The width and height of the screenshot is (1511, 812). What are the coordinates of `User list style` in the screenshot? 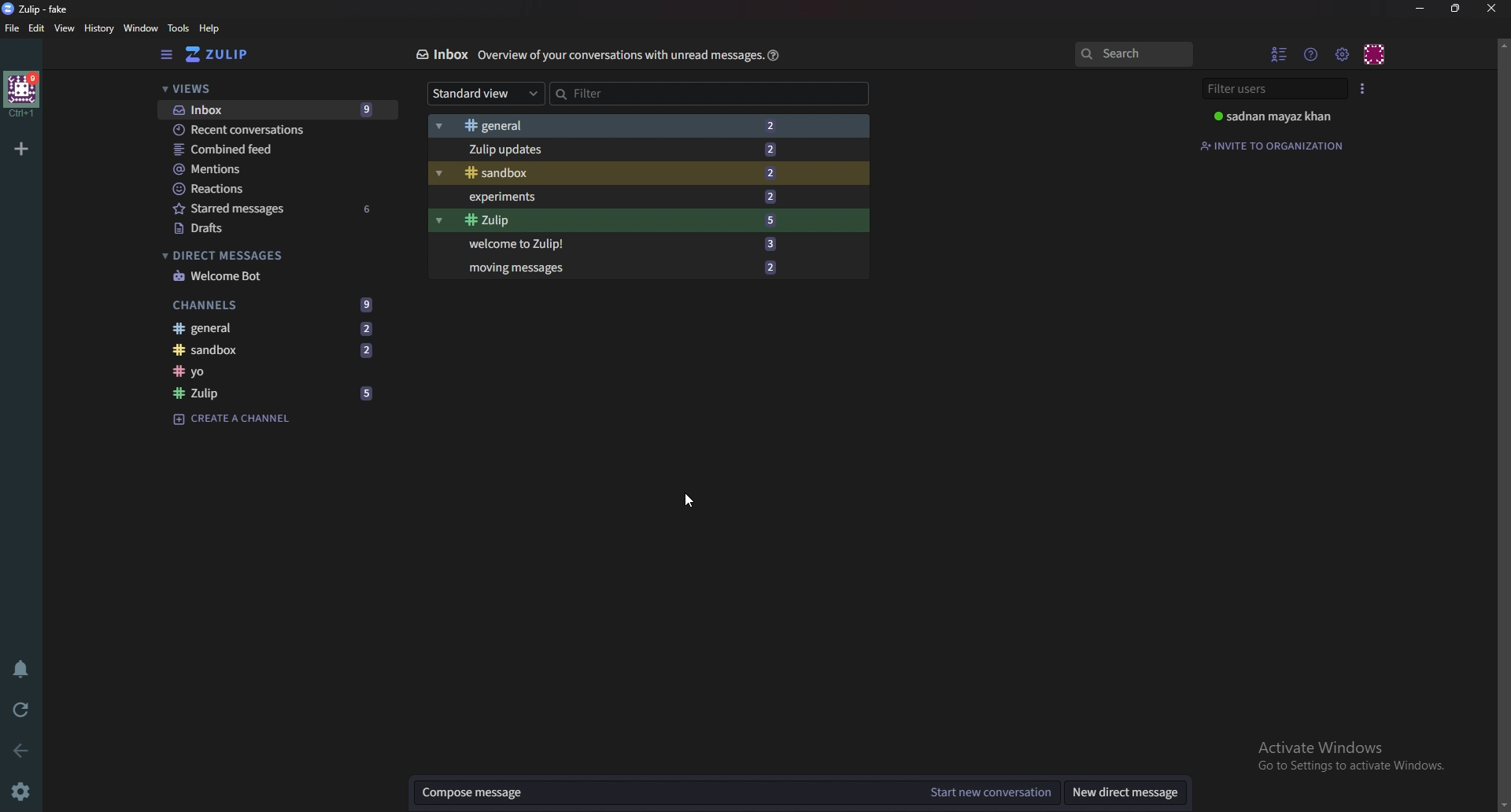 It's located at (1364, 87).